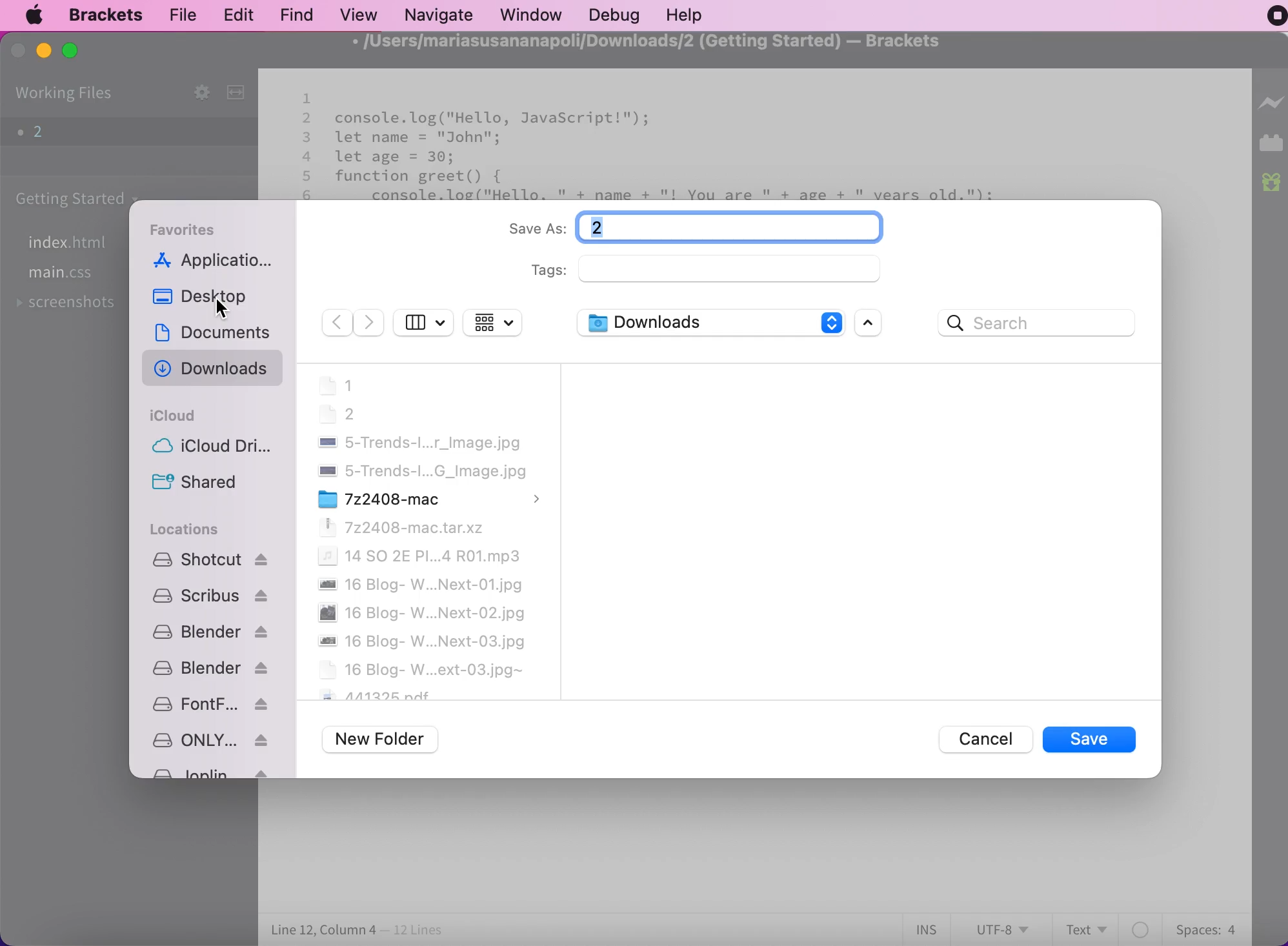 This screenshot has width=1288, height=946. What do you see at coordinates (1271, 146) in the screenshot?
I see `extension manager` at bounding box center [1271, 146].